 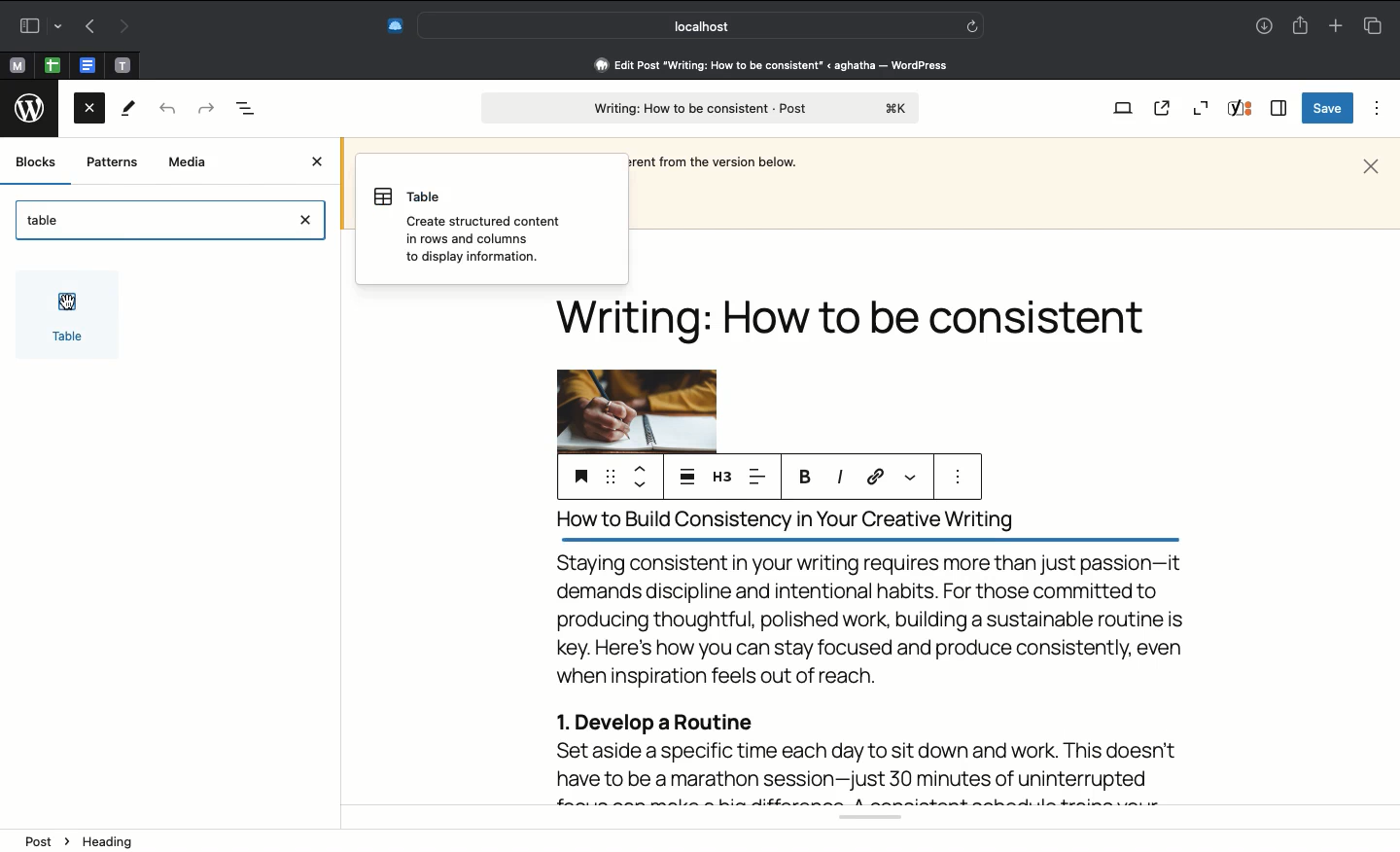 What do you see at coordinates (958, 478) in the screenshot?
I see `options` at bounding box center [958, 478].